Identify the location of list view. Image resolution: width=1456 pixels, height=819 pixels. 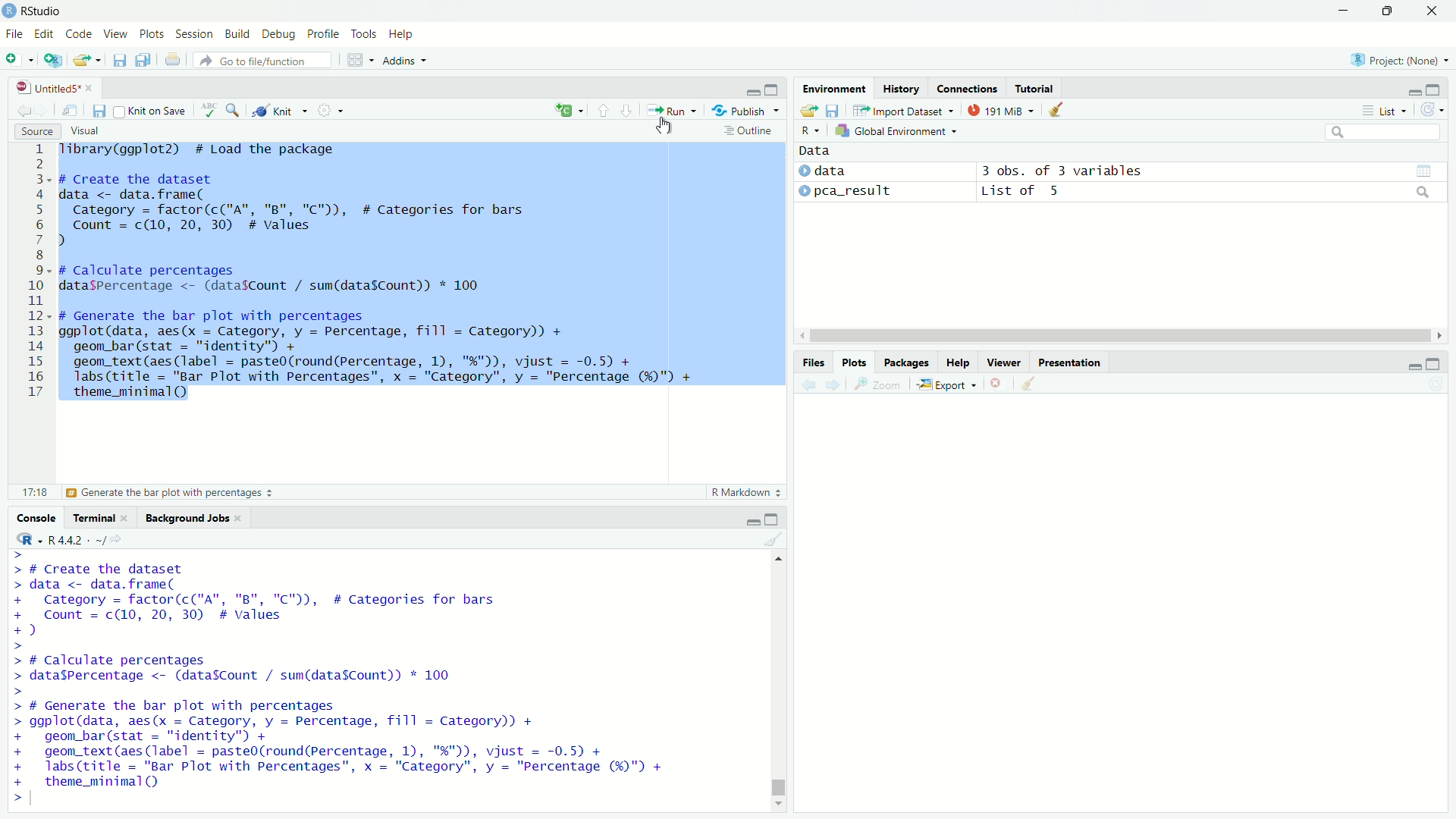
(1383, 111).